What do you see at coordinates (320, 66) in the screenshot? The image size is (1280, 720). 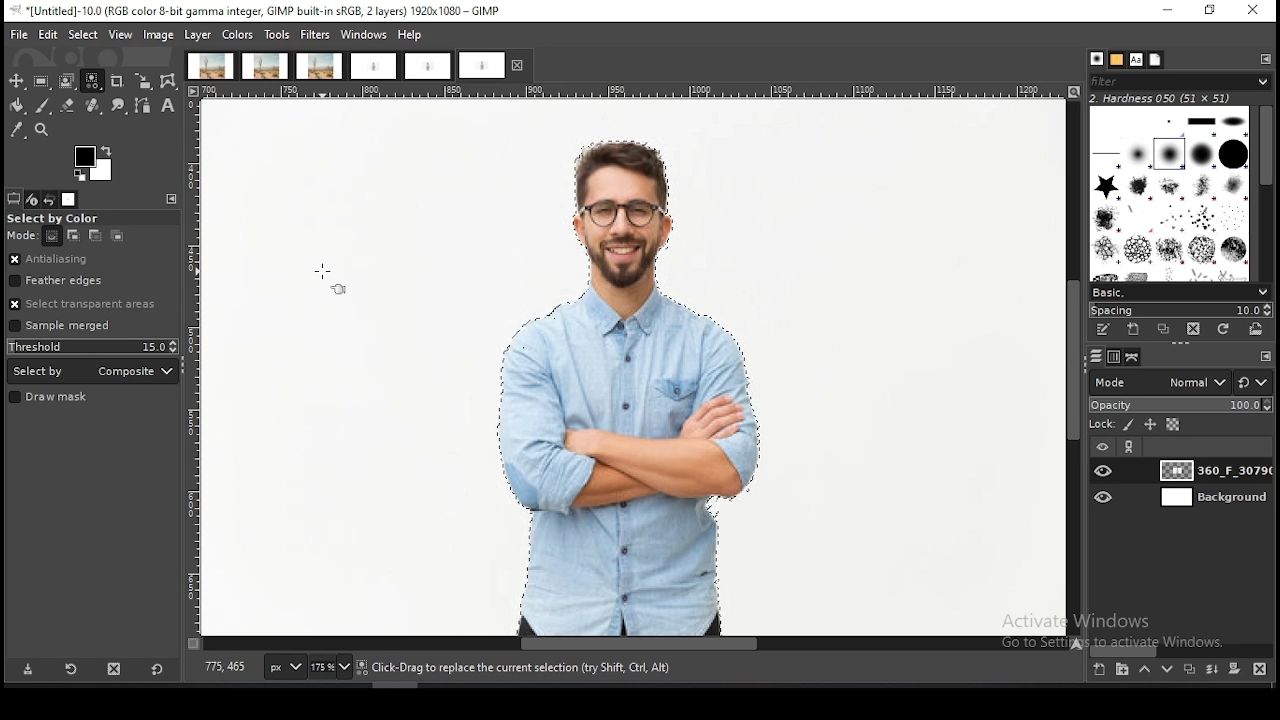 I see `project tab` at bounding box center [320, 66].